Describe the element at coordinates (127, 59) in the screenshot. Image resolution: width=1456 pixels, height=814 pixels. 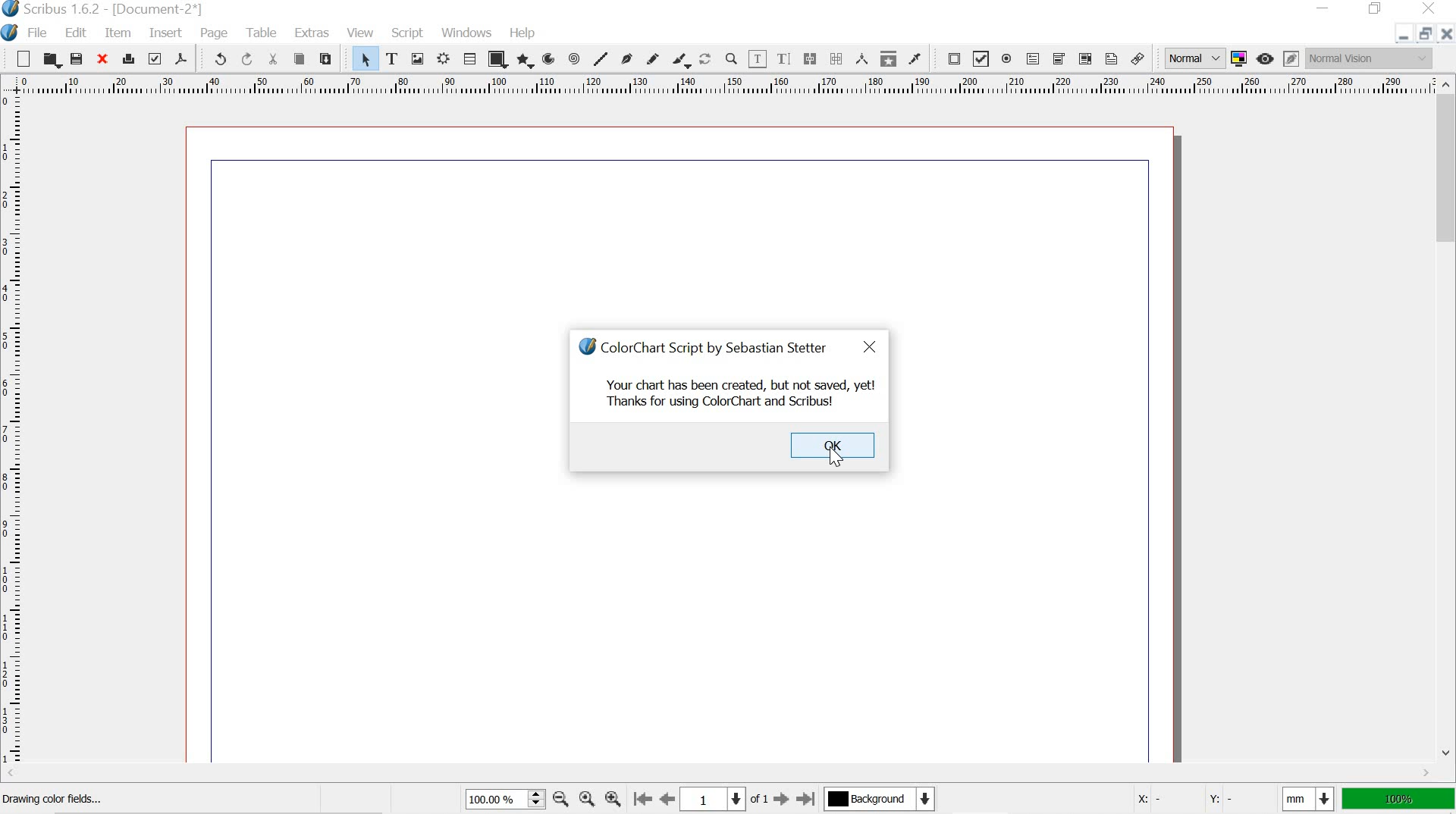
I see `print` at that location.